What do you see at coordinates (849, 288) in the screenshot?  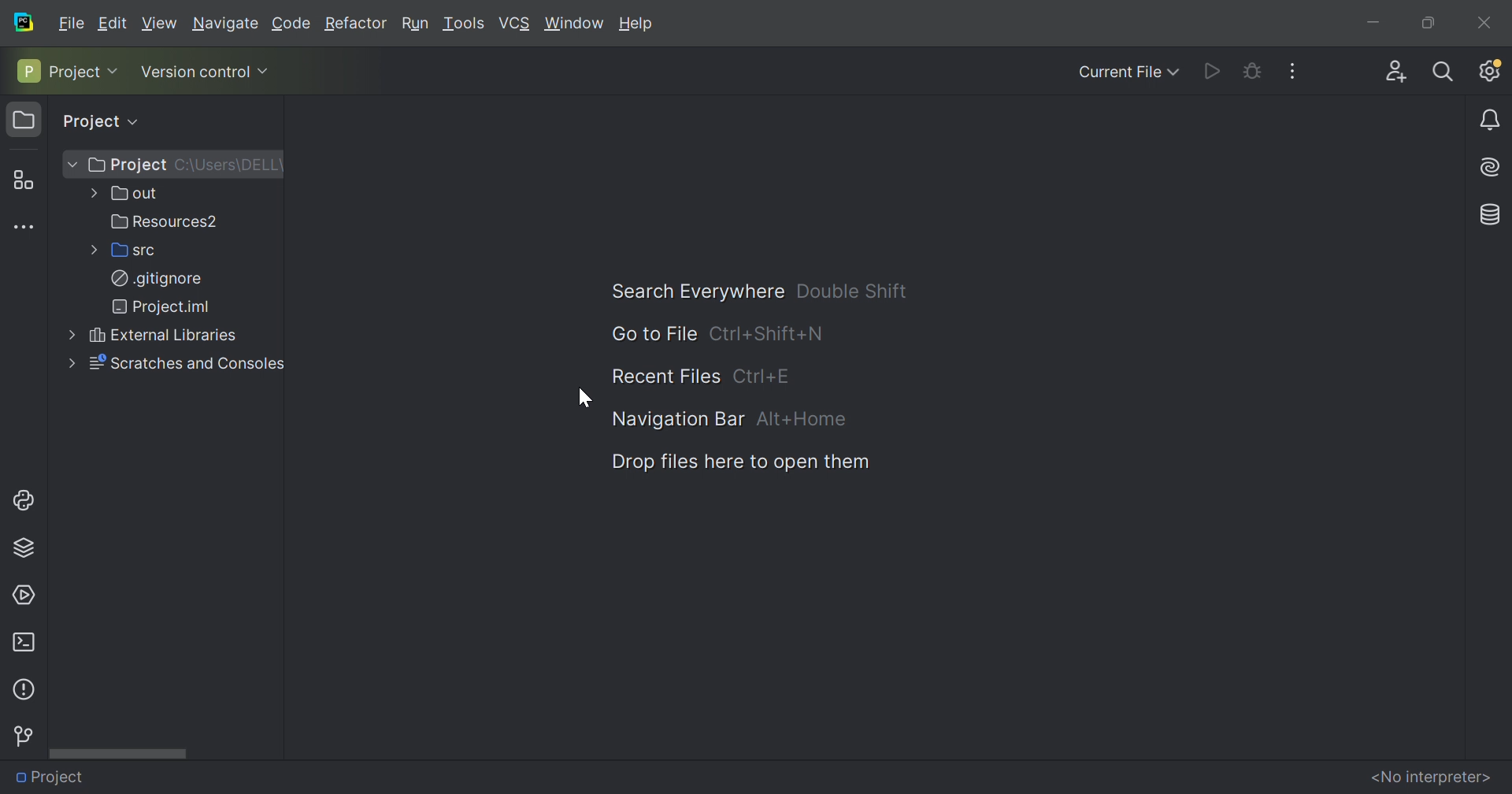 I see `Double Shift` at bounding box center [849, 288].